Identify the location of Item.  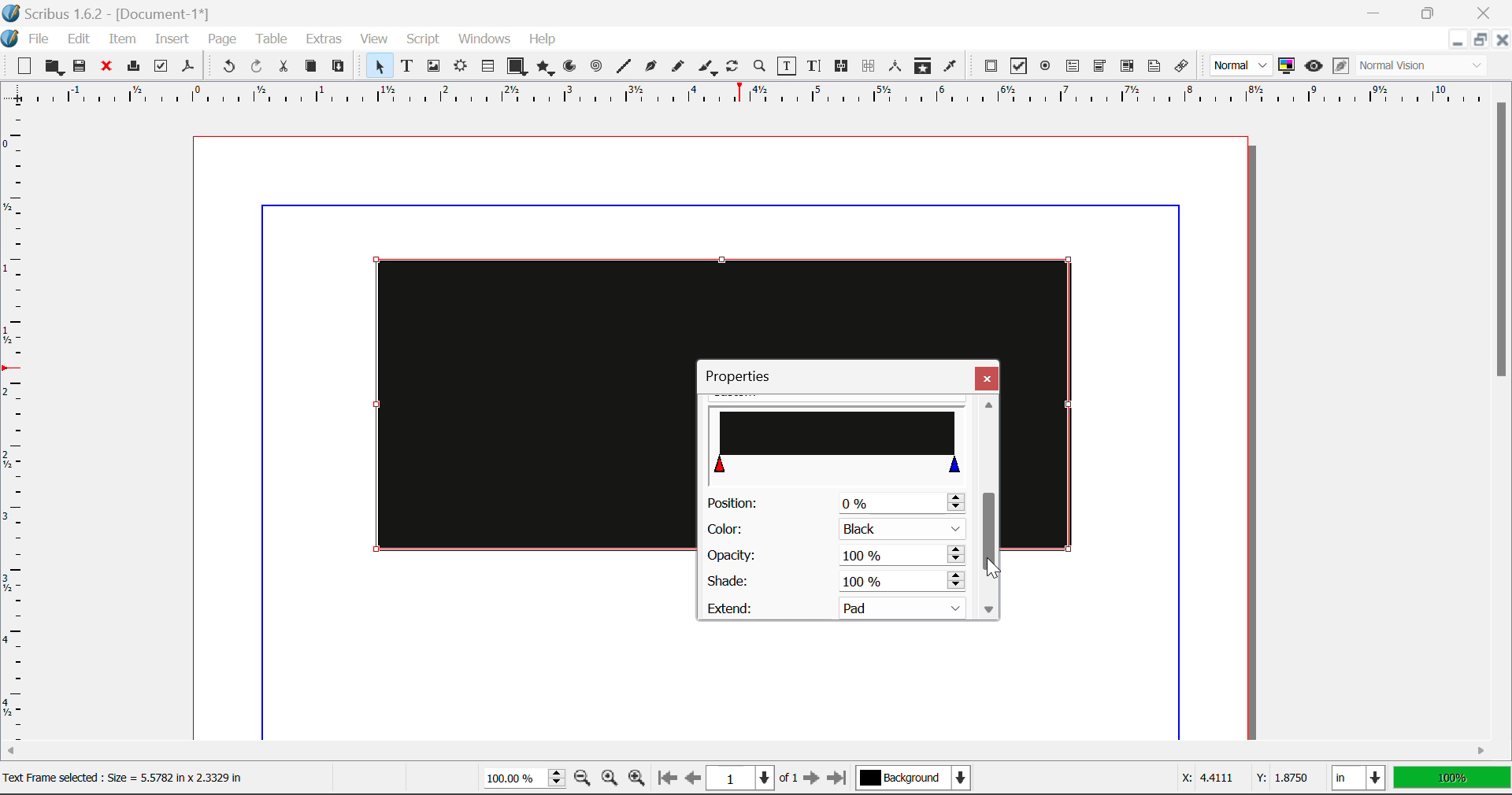
(123, 41).